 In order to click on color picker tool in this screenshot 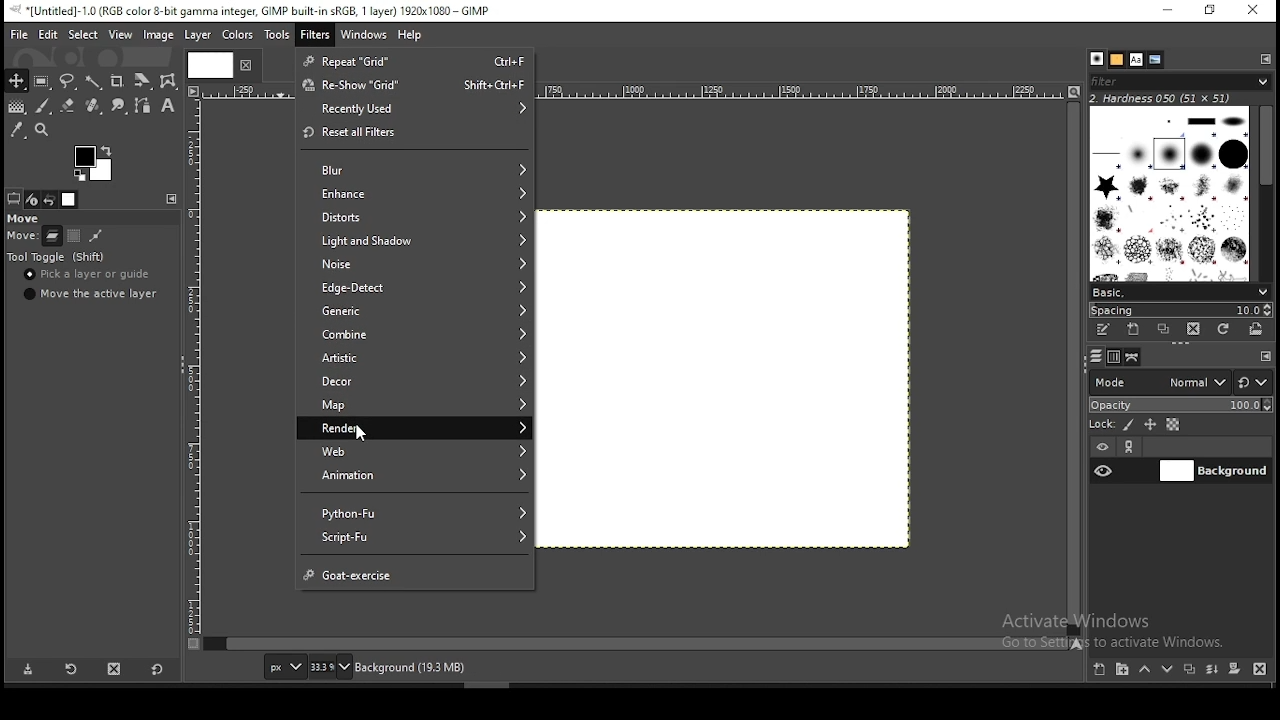, I will do `click(17, 129)`.